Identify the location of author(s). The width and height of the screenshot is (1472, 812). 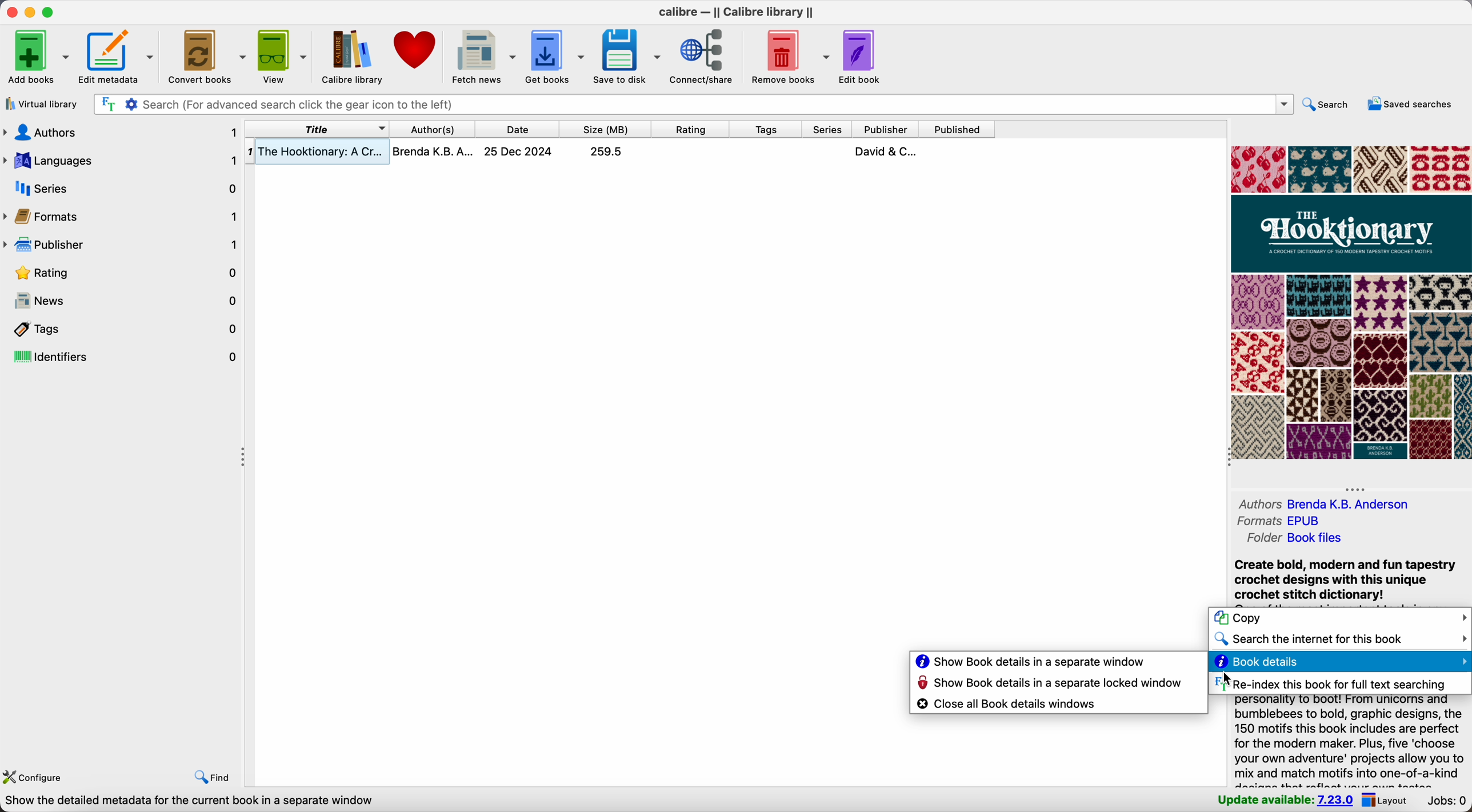
(431, 129).